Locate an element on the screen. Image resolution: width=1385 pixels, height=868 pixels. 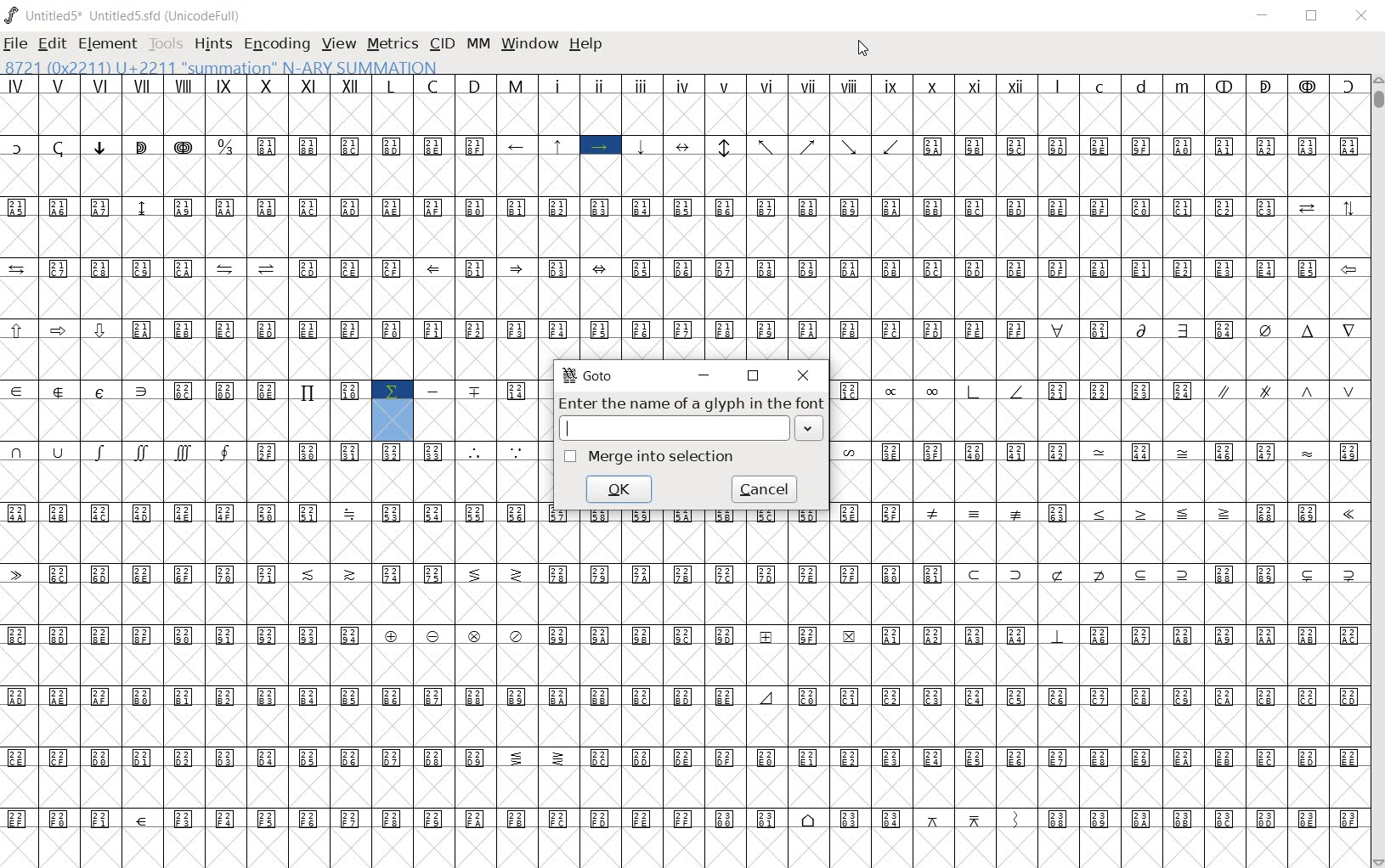
empty cells is located at coordinates (481, 419).